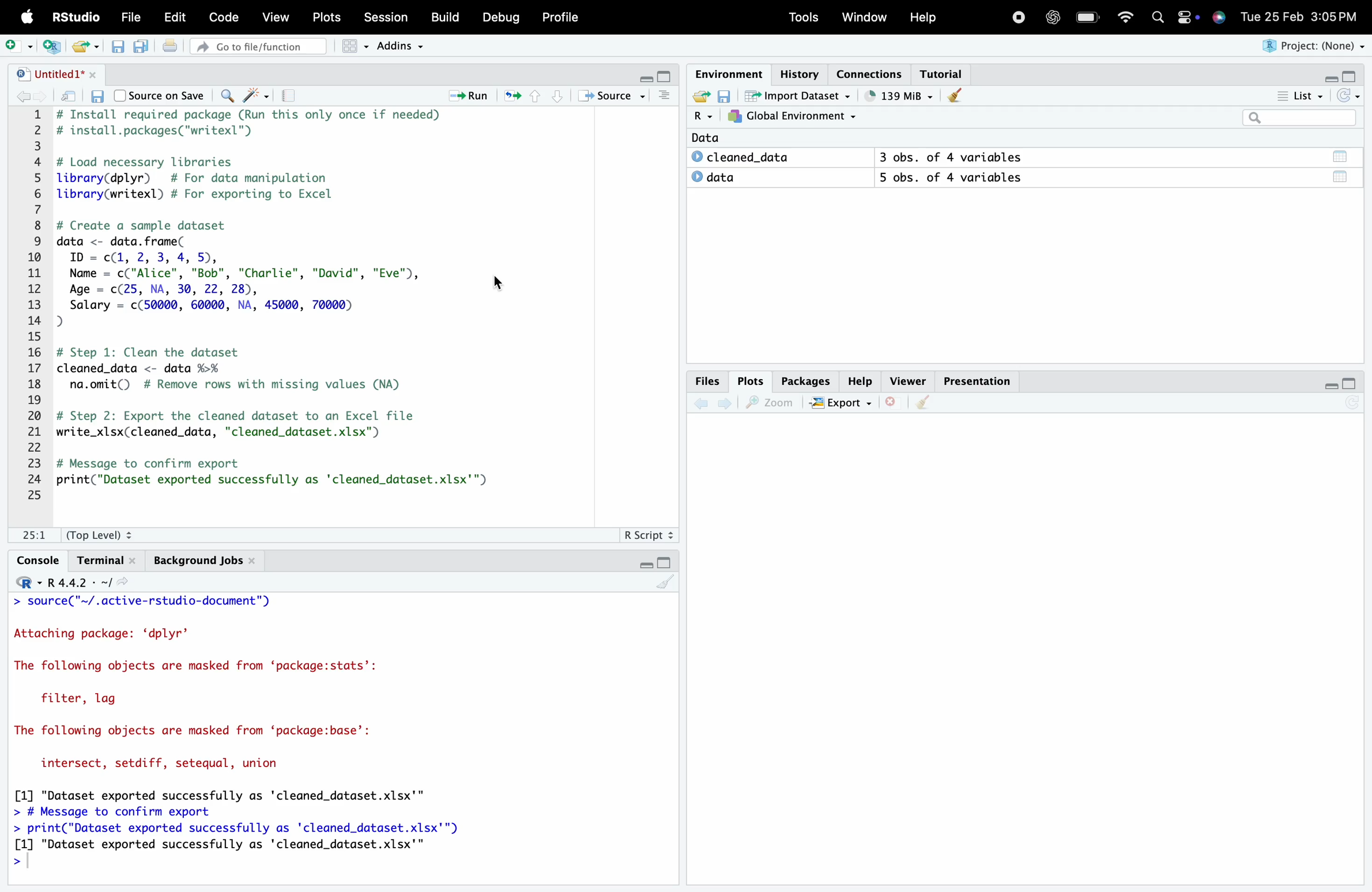  What do you see at coordinates (352, 47) in the screenshot?
I see `Workspace panes` at bounding box center [352, 47].